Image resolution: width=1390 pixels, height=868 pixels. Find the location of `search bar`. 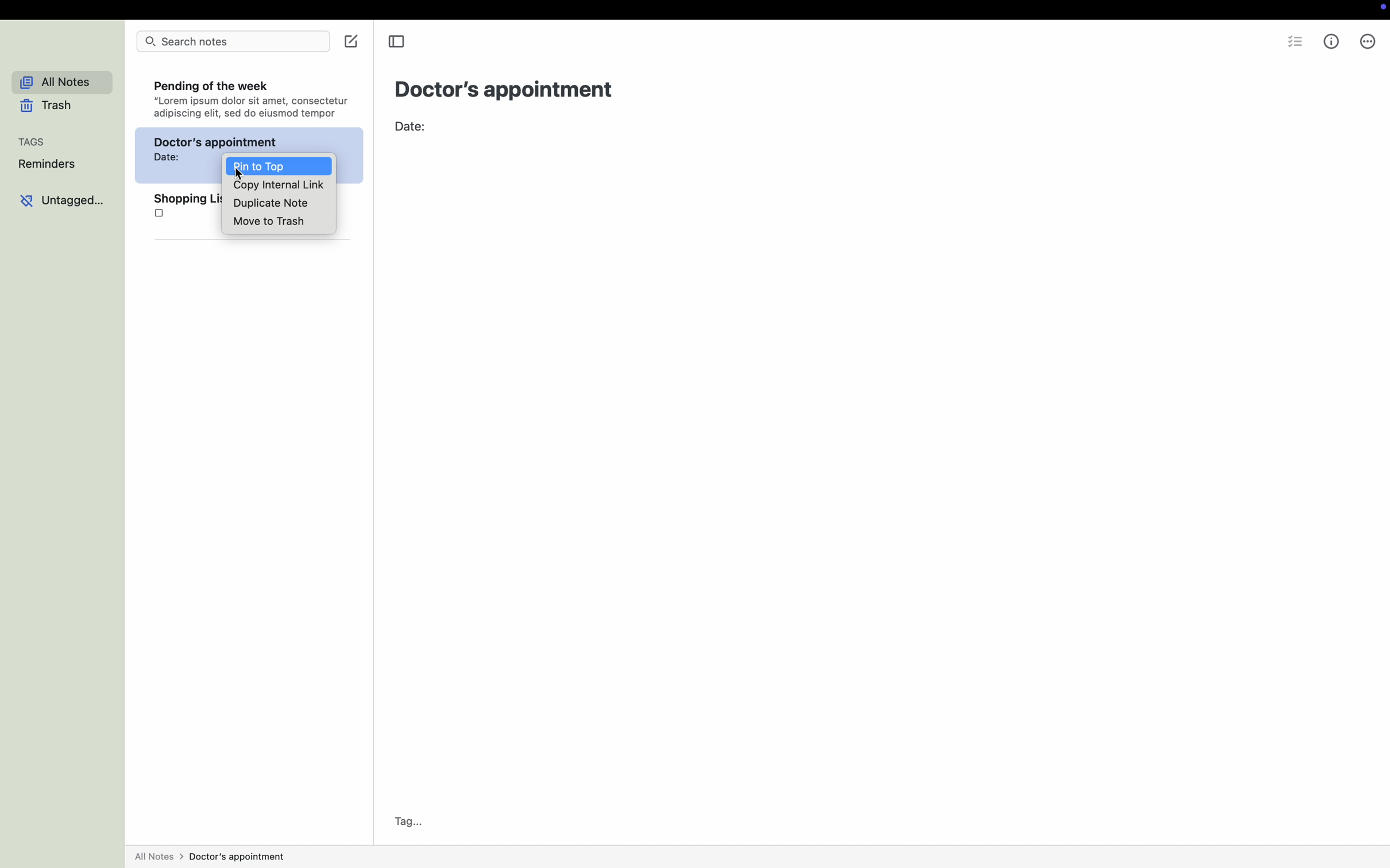

search bar is located at coordinates (234, 41).